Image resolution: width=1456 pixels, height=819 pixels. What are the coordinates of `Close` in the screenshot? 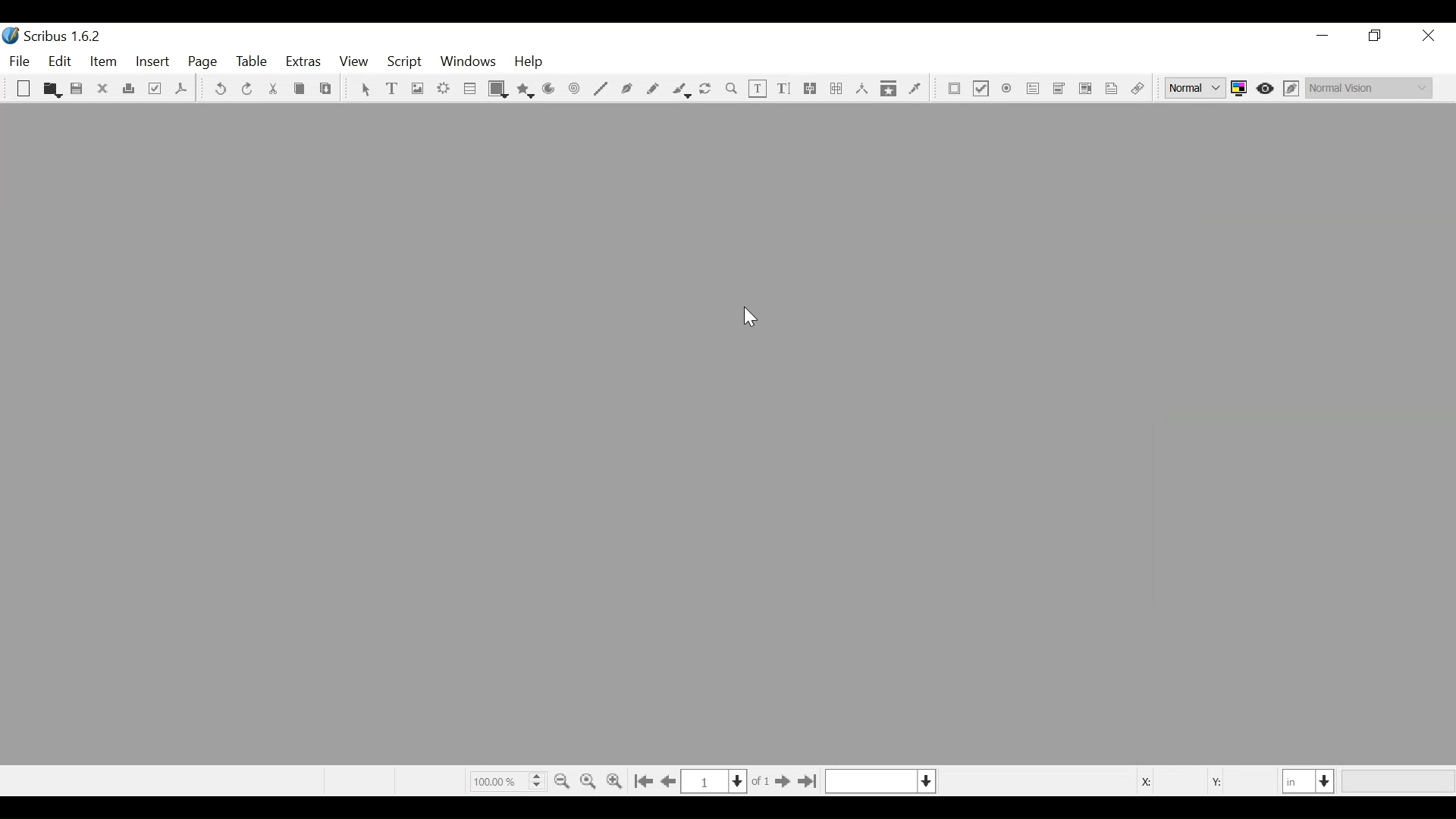 It's located at (1427, 36).